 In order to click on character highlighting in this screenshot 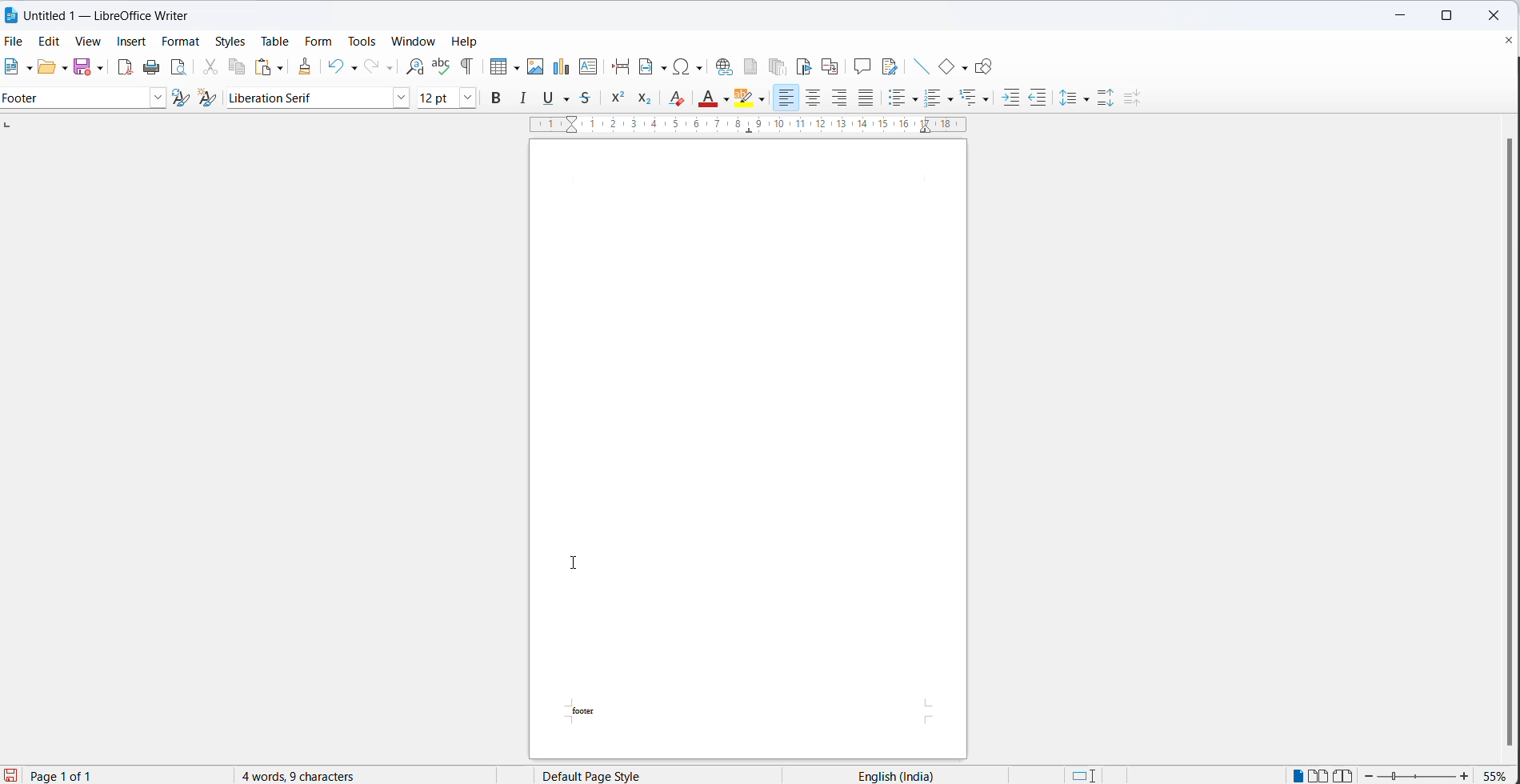, I will do `click(763, 100)`.